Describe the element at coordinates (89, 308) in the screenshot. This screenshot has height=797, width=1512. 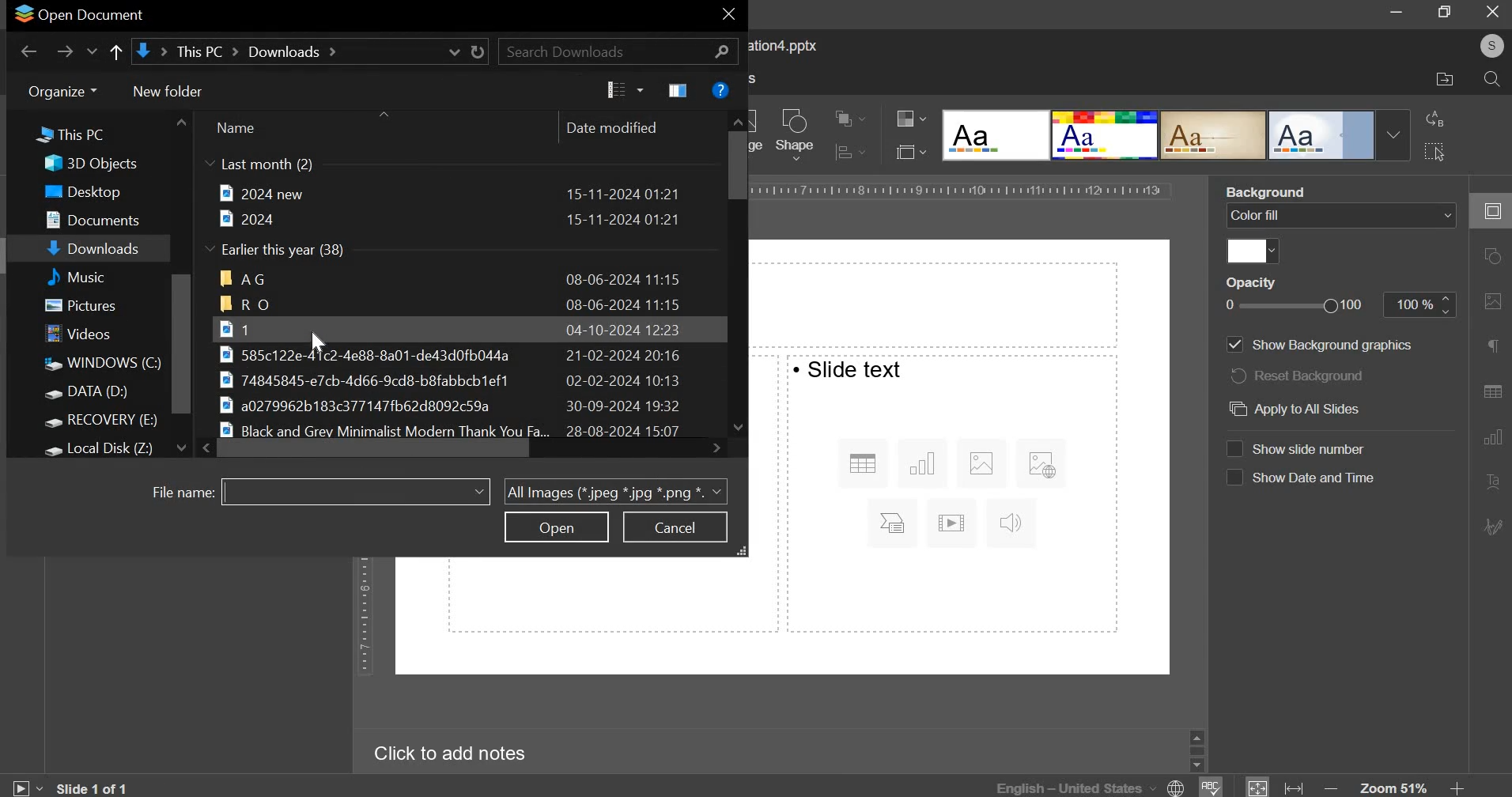
I see `pictures` at that location.